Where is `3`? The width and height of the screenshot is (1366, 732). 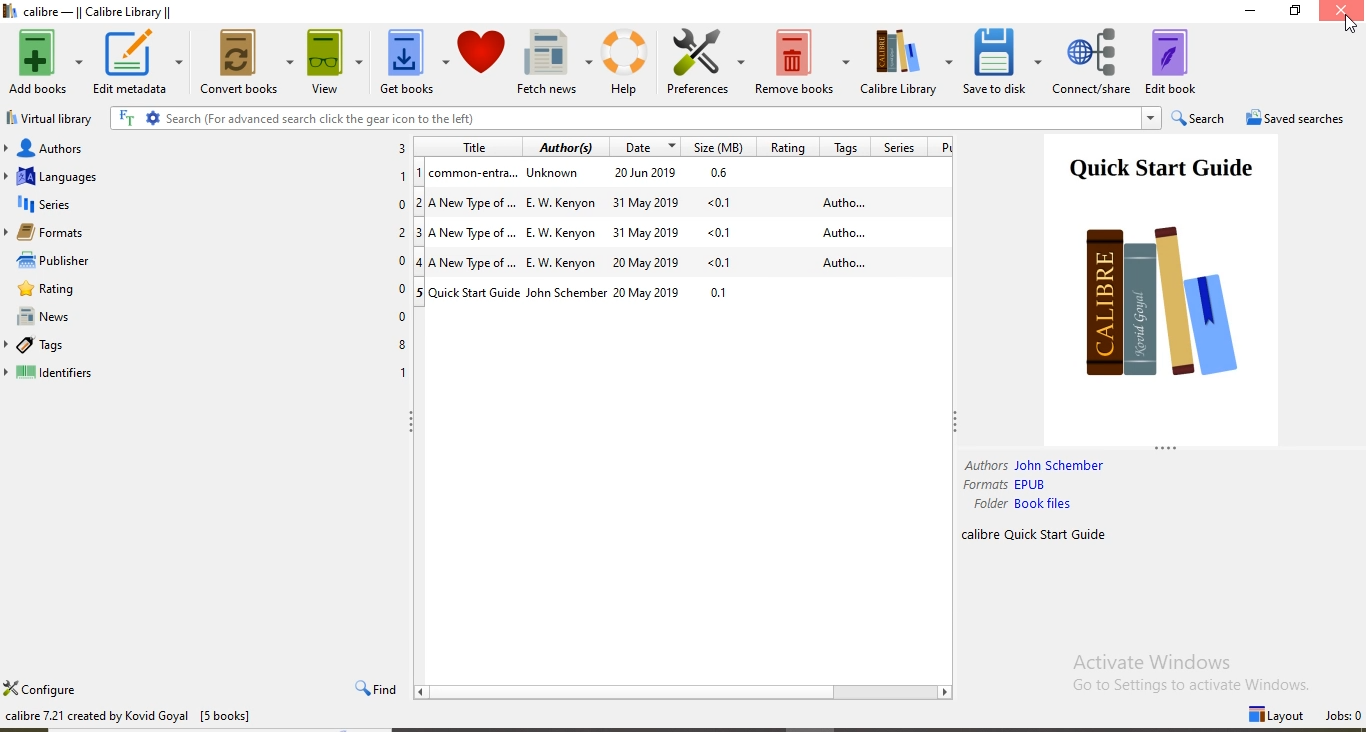 3 is located at coordinates (419, 231).